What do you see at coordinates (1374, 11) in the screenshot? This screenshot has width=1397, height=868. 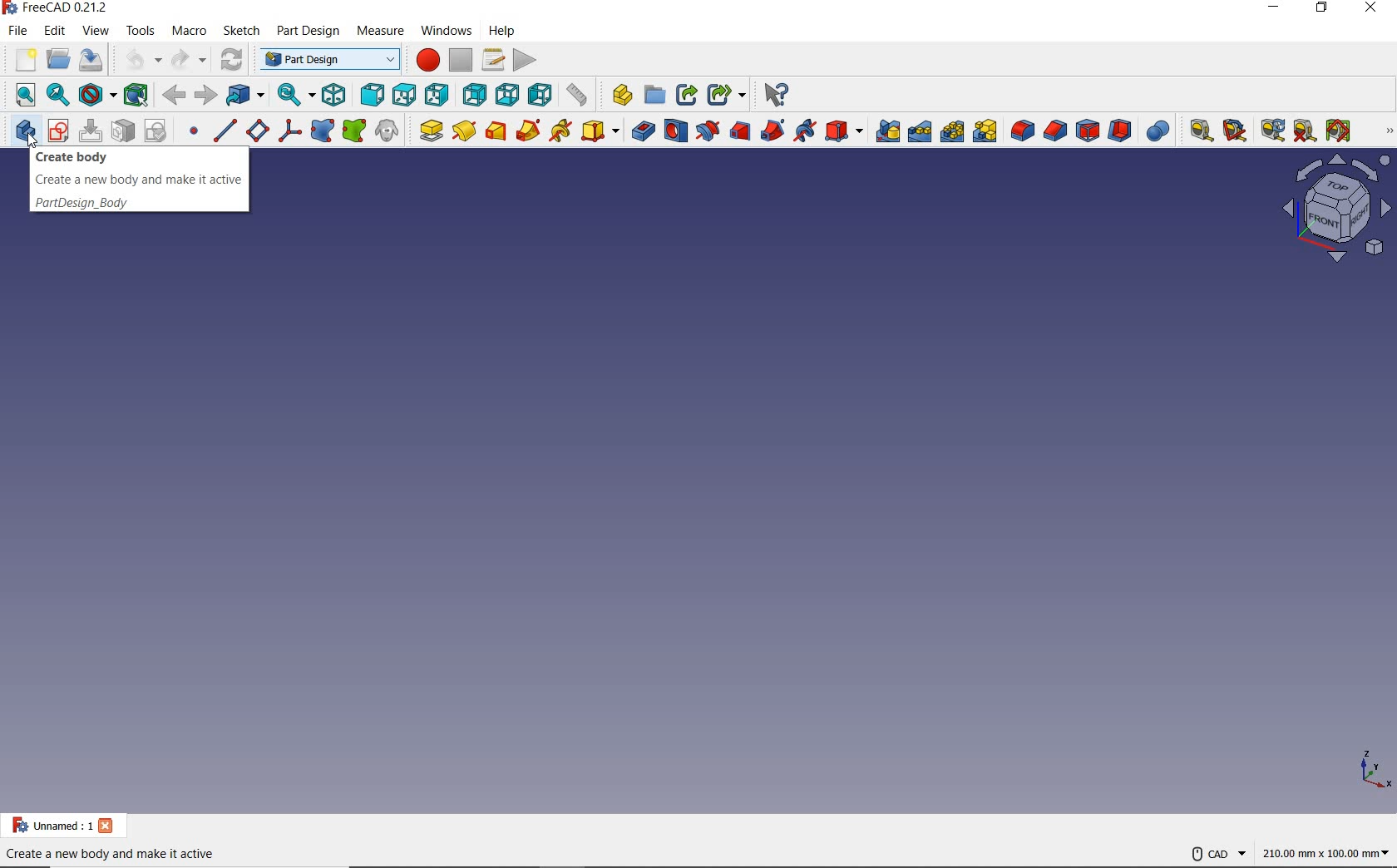 I see `CLOSE` at bounding box center [1374, 11].